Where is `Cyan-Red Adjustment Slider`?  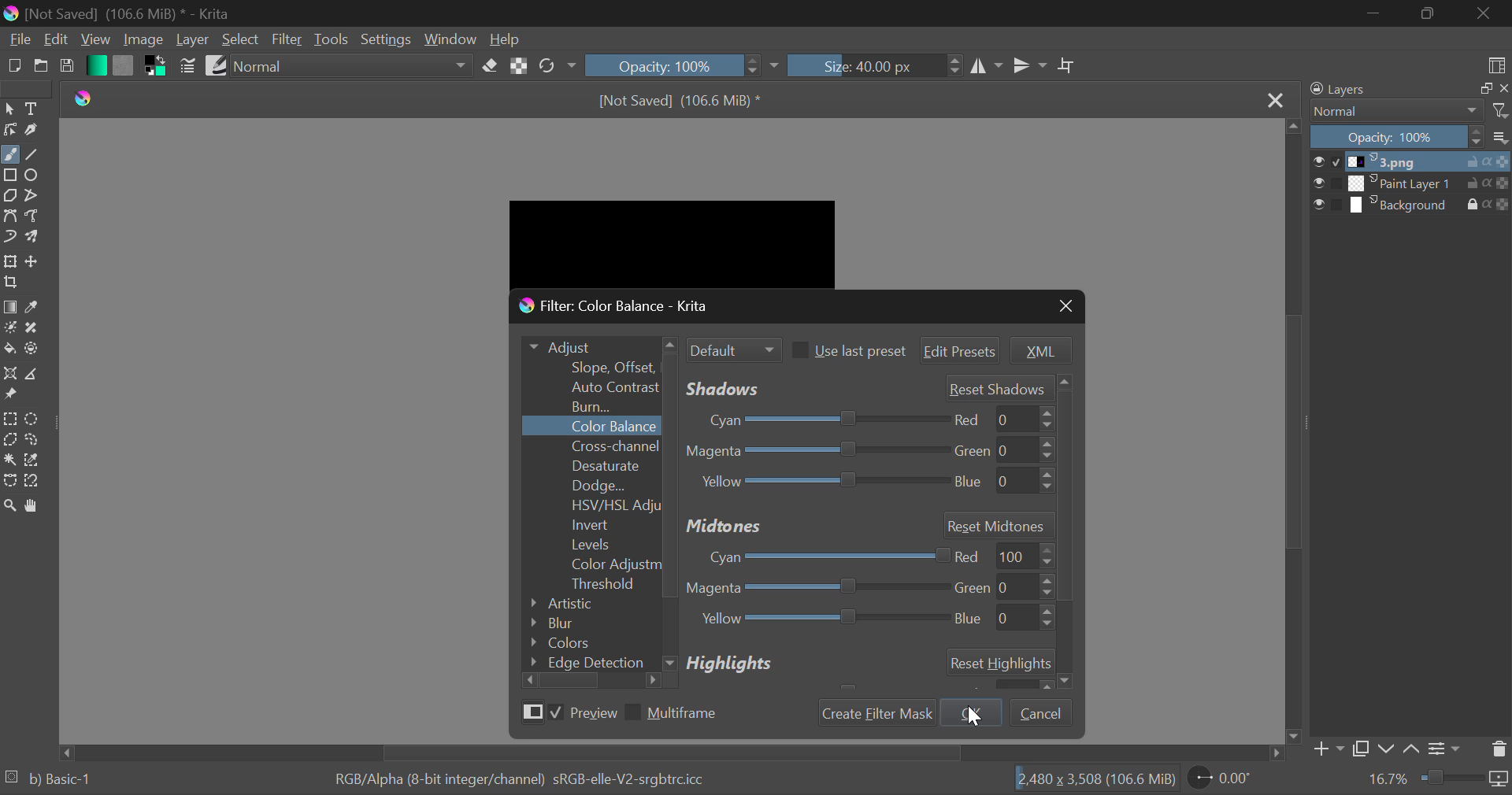
Cyan-Red Adjustment Slider is located at coordinates (817, 554).